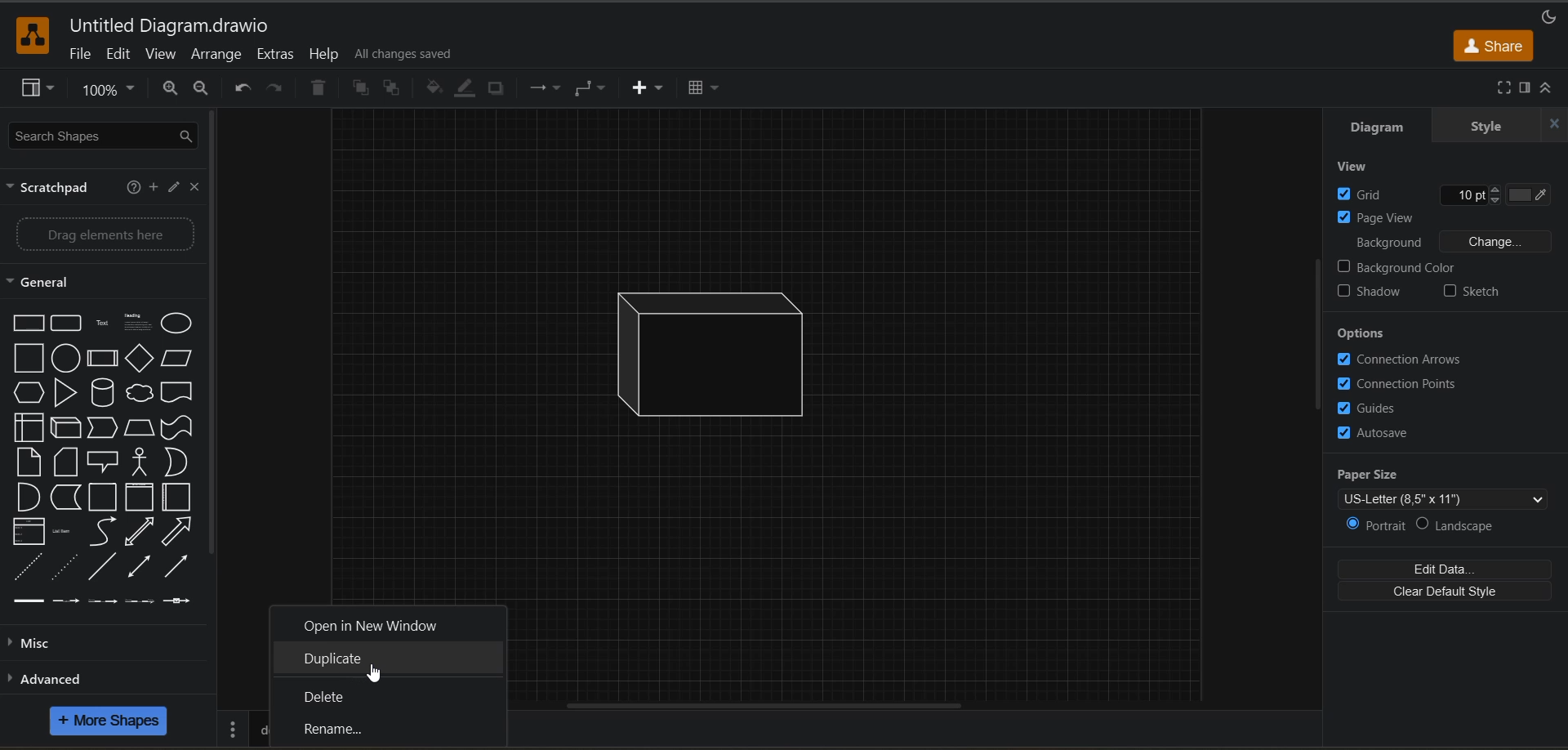  I want to click on edit, so click(117, 54).